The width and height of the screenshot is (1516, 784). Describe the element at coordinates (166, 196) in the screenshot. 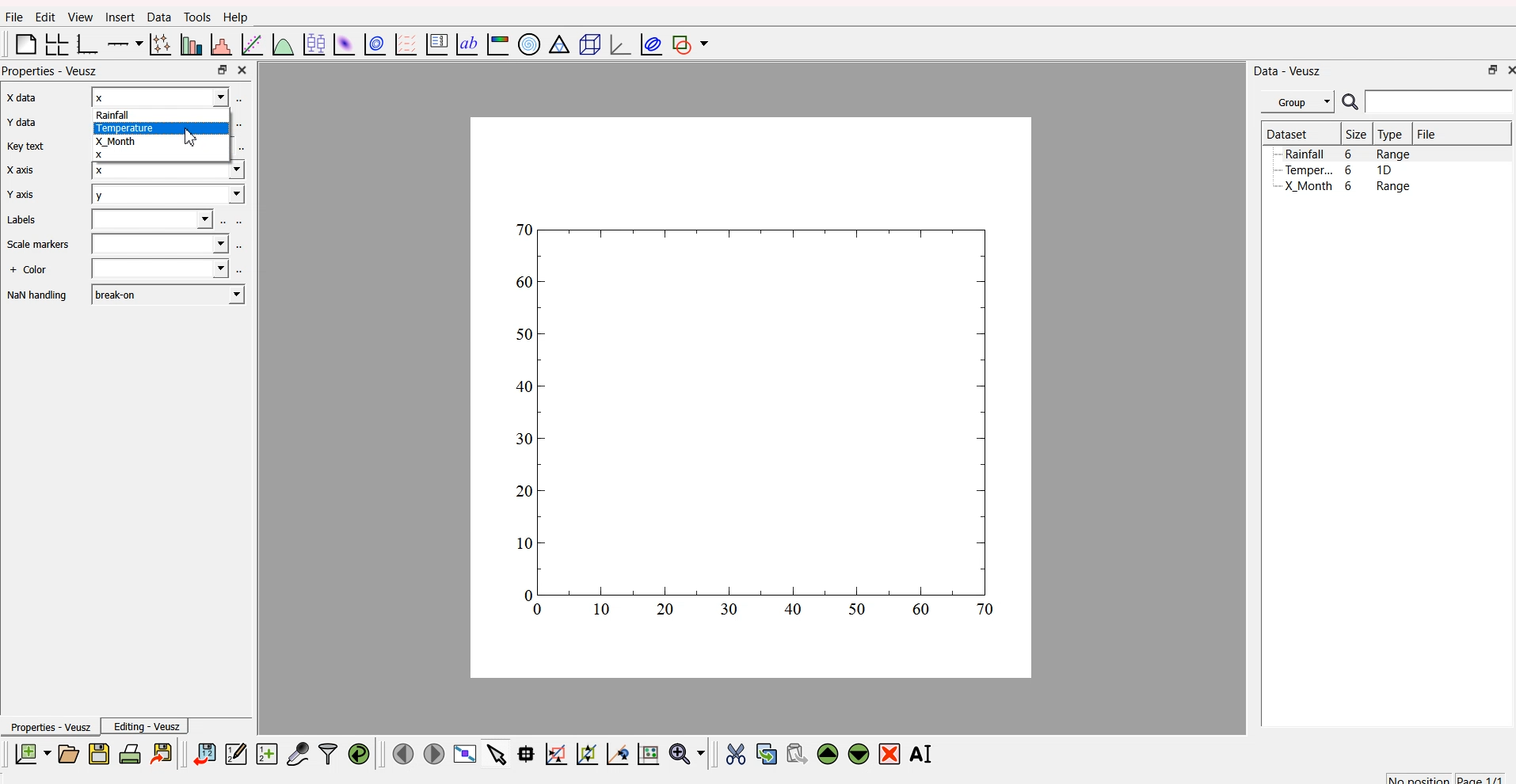

I see `y` at that location.